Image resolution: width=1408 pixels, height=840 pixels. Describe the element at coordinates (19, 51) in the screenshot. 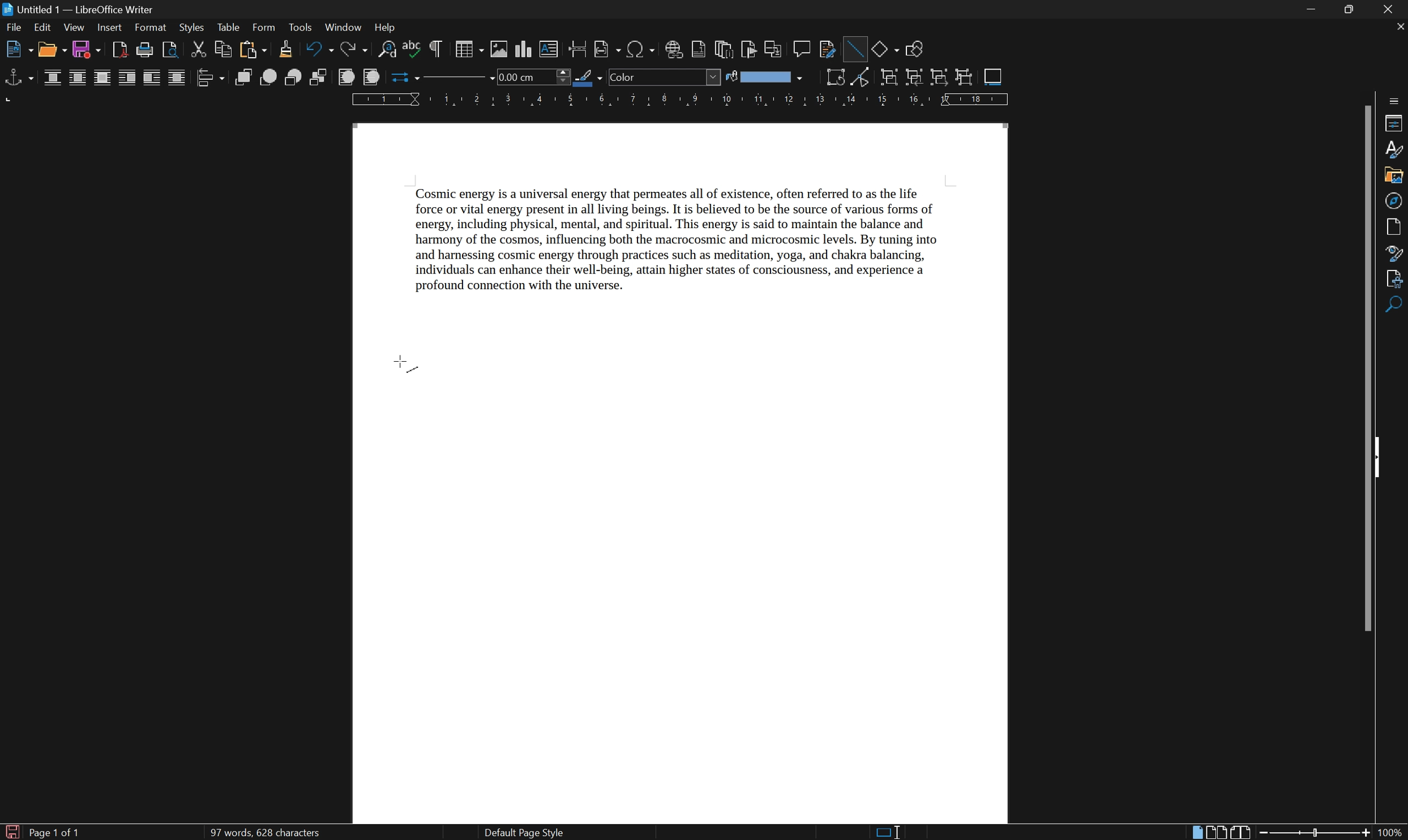

I see `new` at that location.